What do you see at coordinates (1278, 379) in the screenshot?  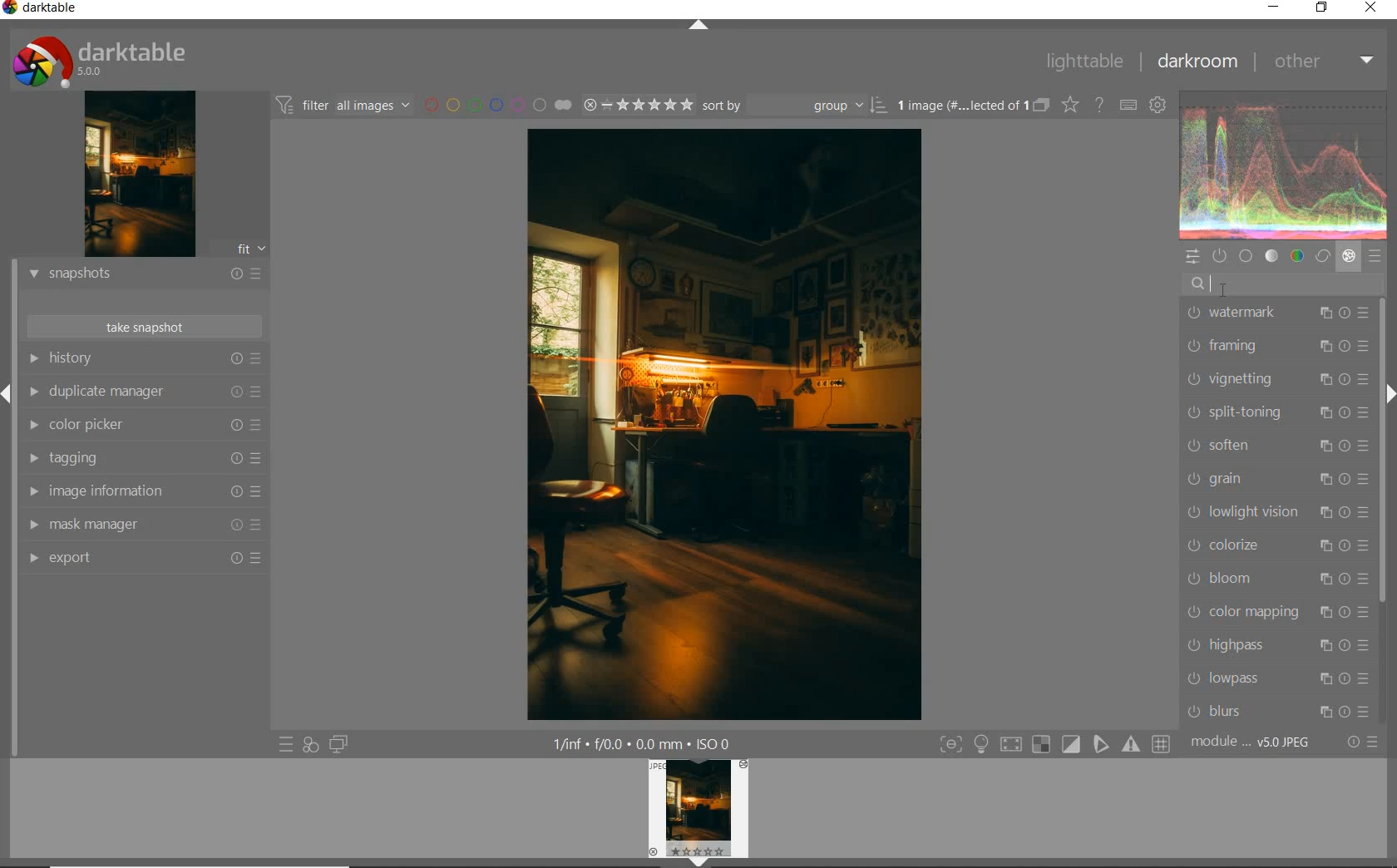 I see `vignetting` at bounding box center [1278, 379].